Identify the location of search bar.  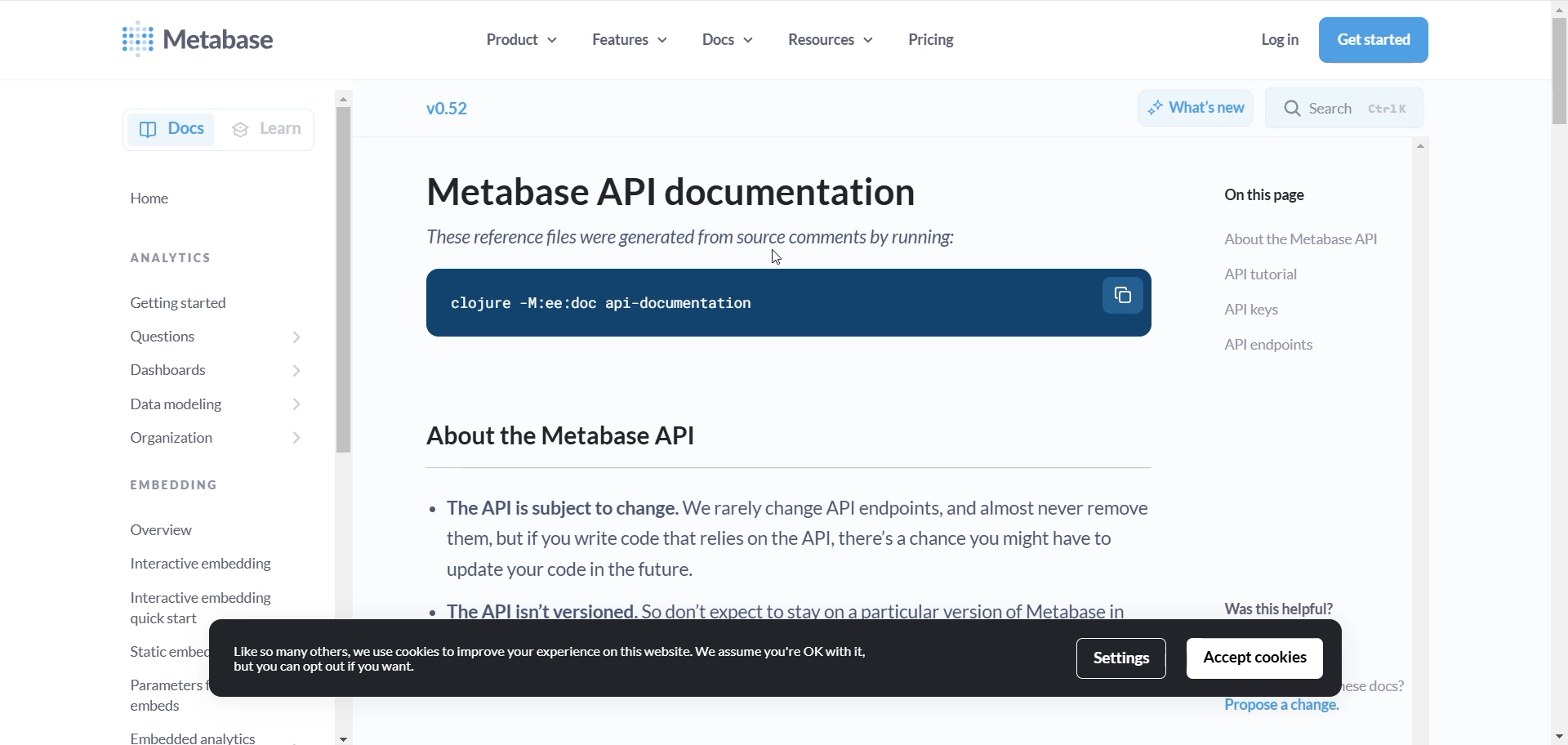
(1375, 105).